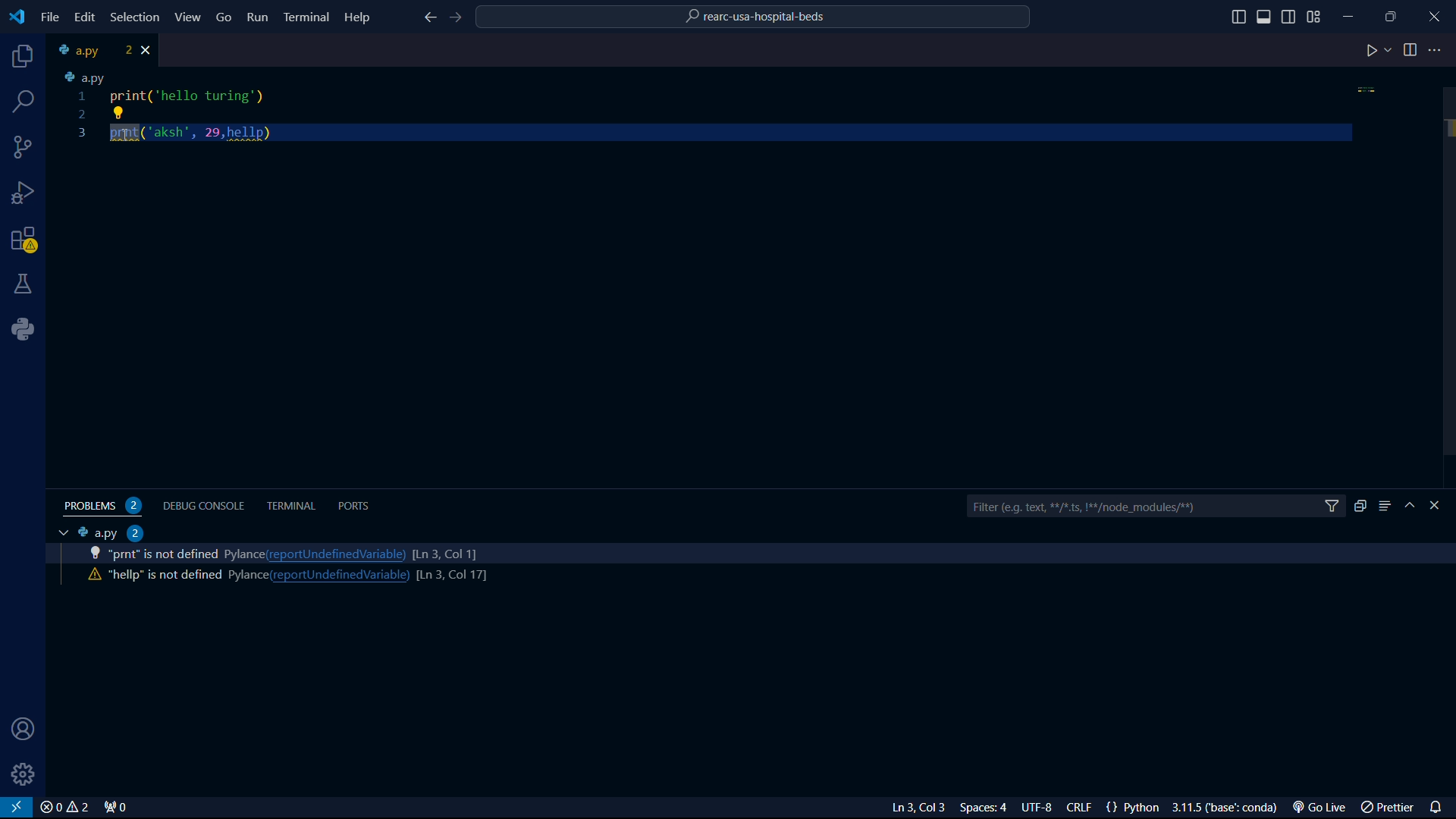  I want to click on Selection, so click(137, 18).